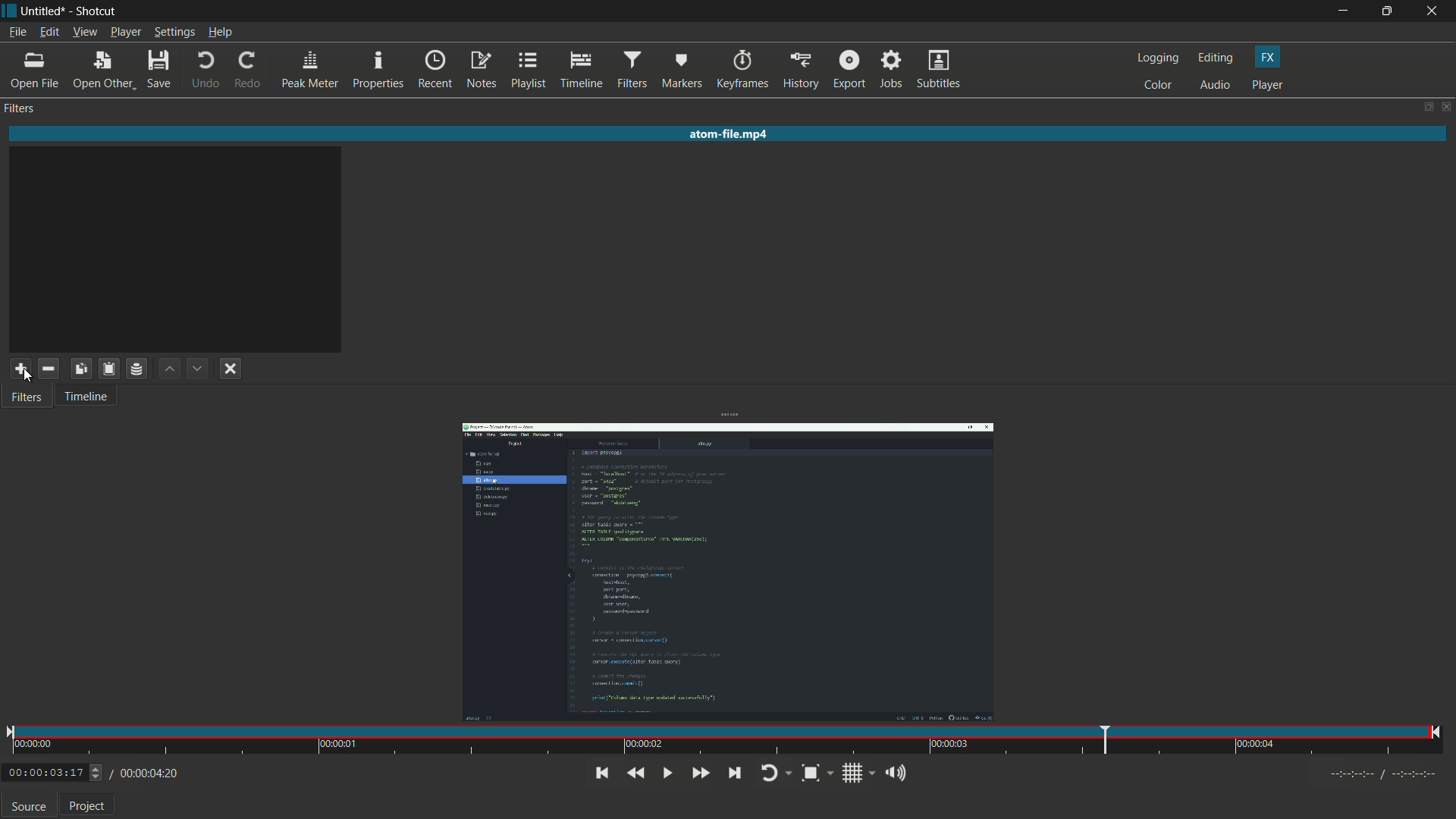 This screenshot has width=1456, height=819. What do you see at coordinates (80, 369) in the screenshot?
I see `copy checked filter` at bounding box center [80, 369].